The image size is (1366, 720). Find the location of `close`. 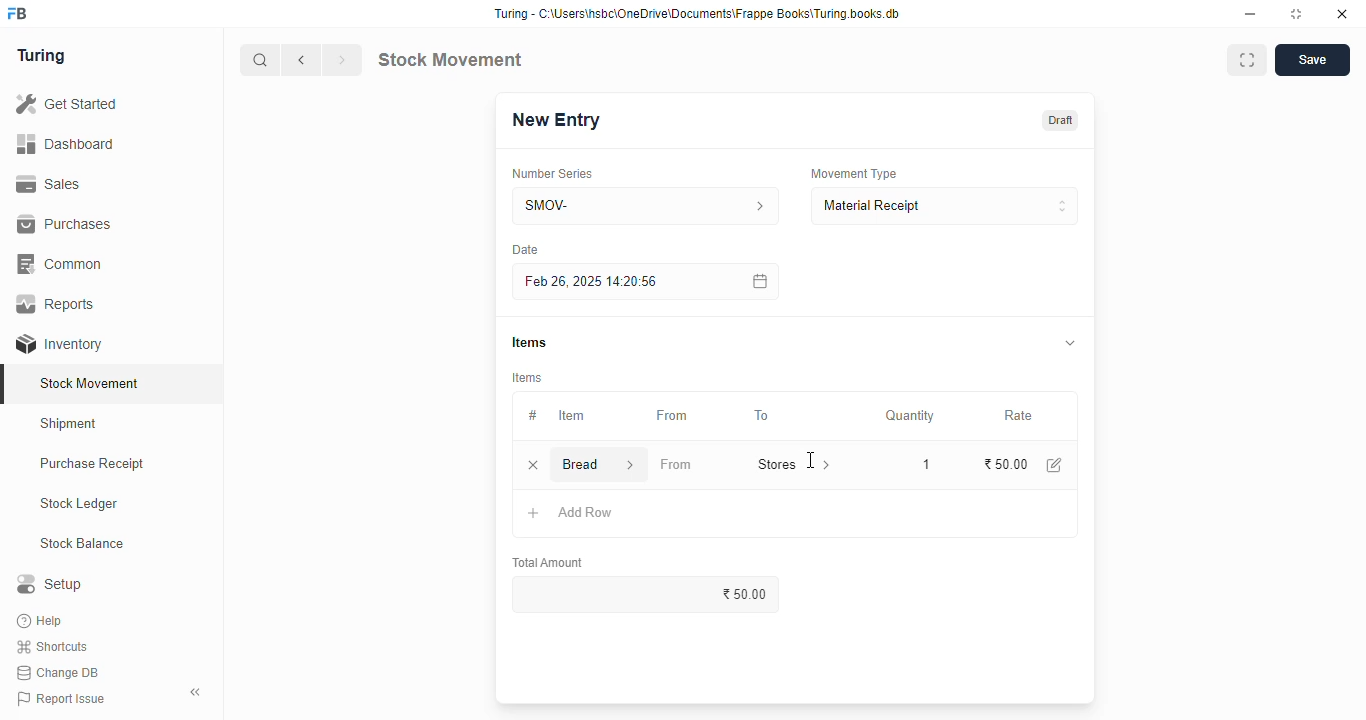

close is located at coordinates (1342, 14).